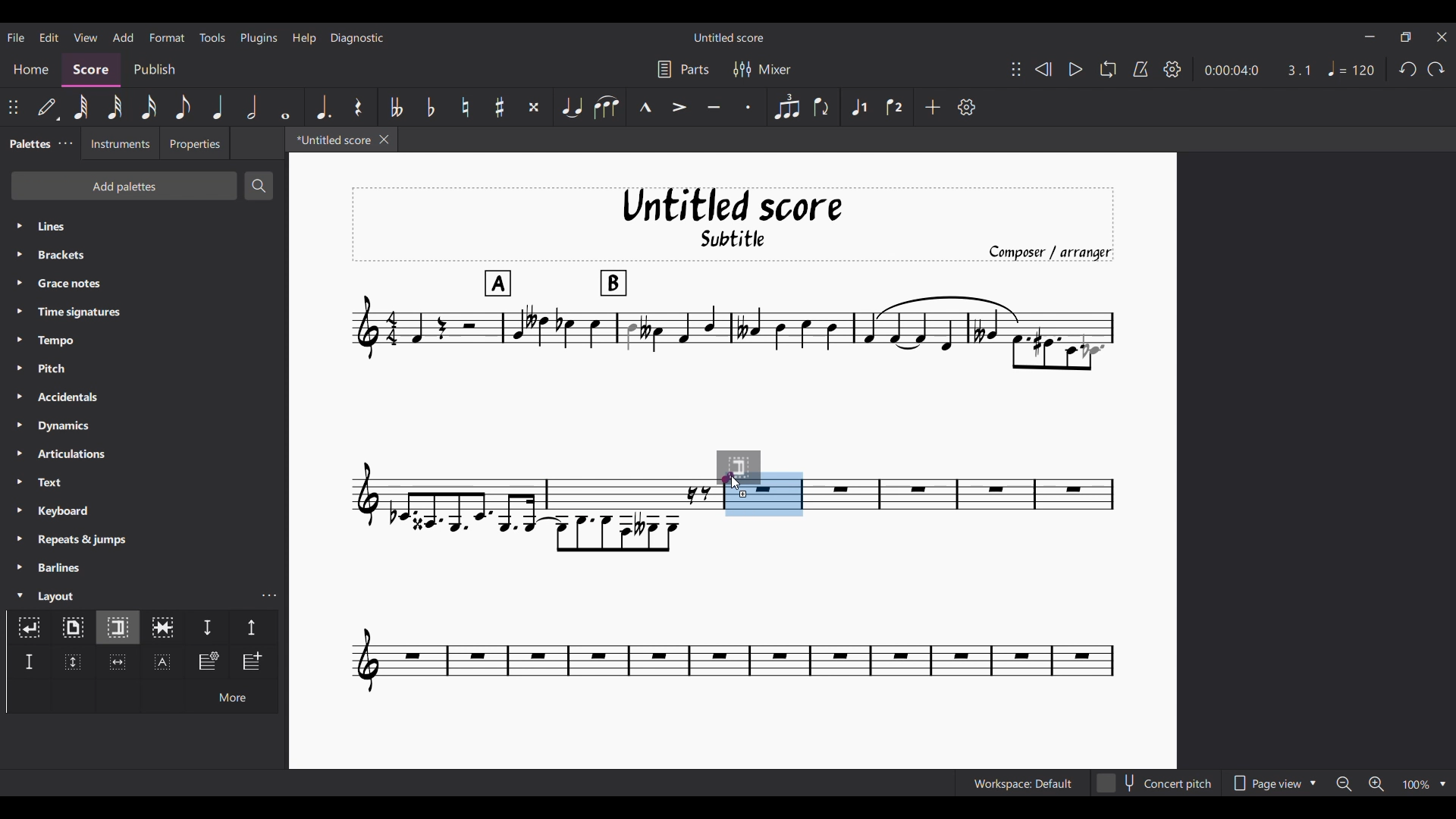 Image resolution: width=1456 pixels, height=819 pixels. I want to click on Palettes, so click(27, 145).